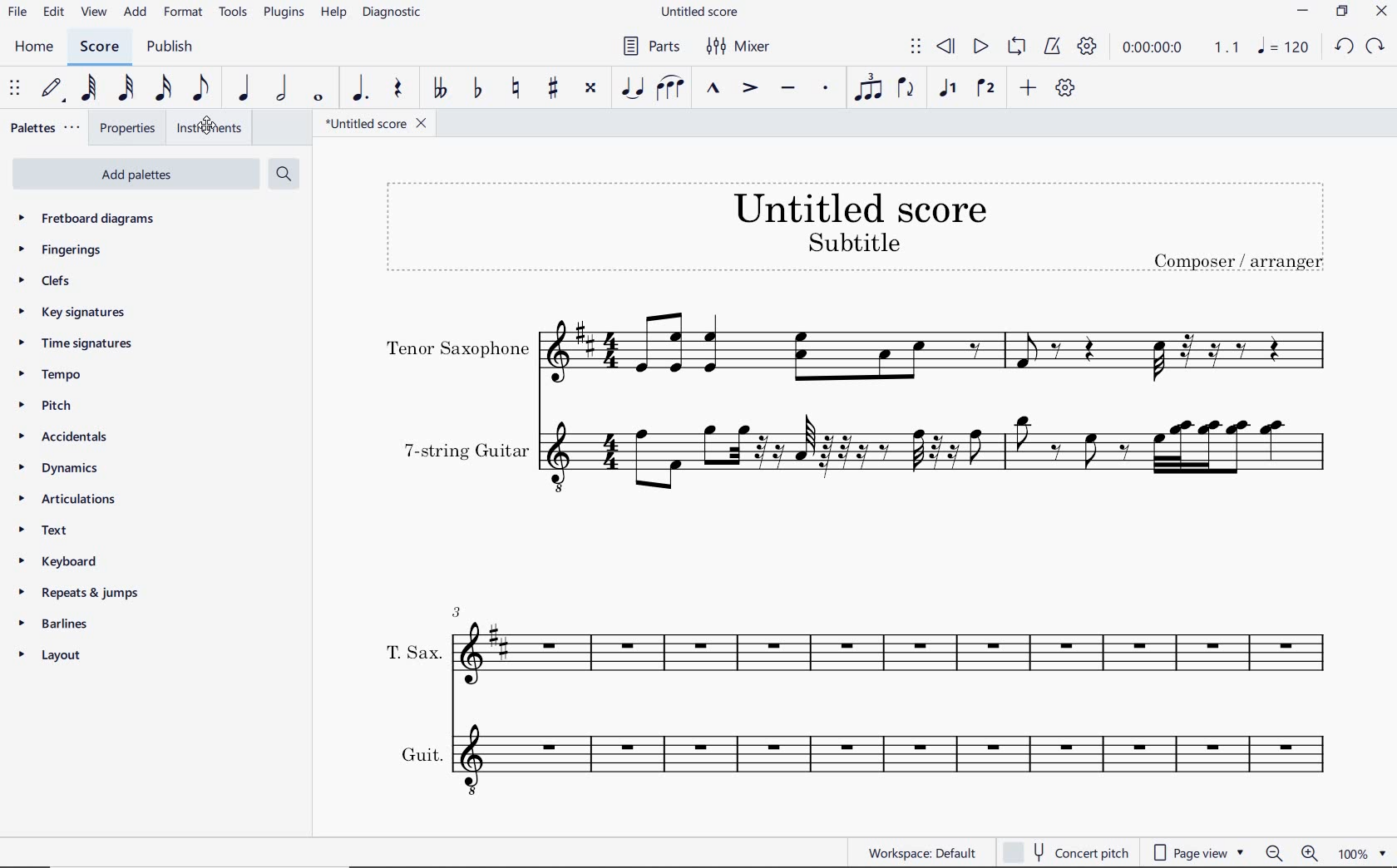 This screenshot has width=1397, height=868. Describe the element at coordinates (58, 437) in the screenshot. I see `ACCIDENTALS` at that location.